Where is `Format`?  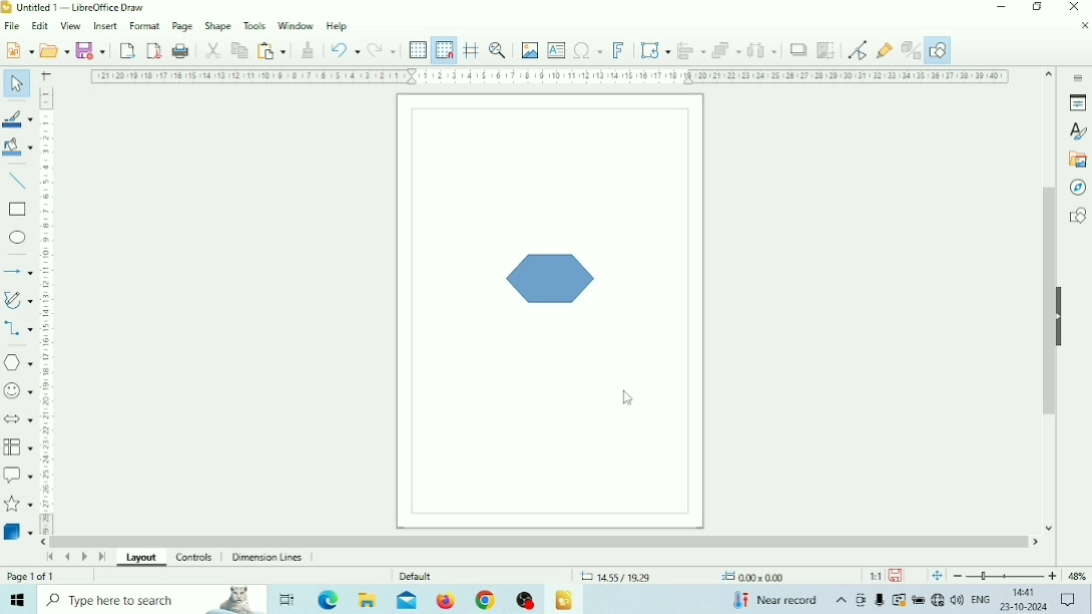 Format is located at coordinates (146, 25).